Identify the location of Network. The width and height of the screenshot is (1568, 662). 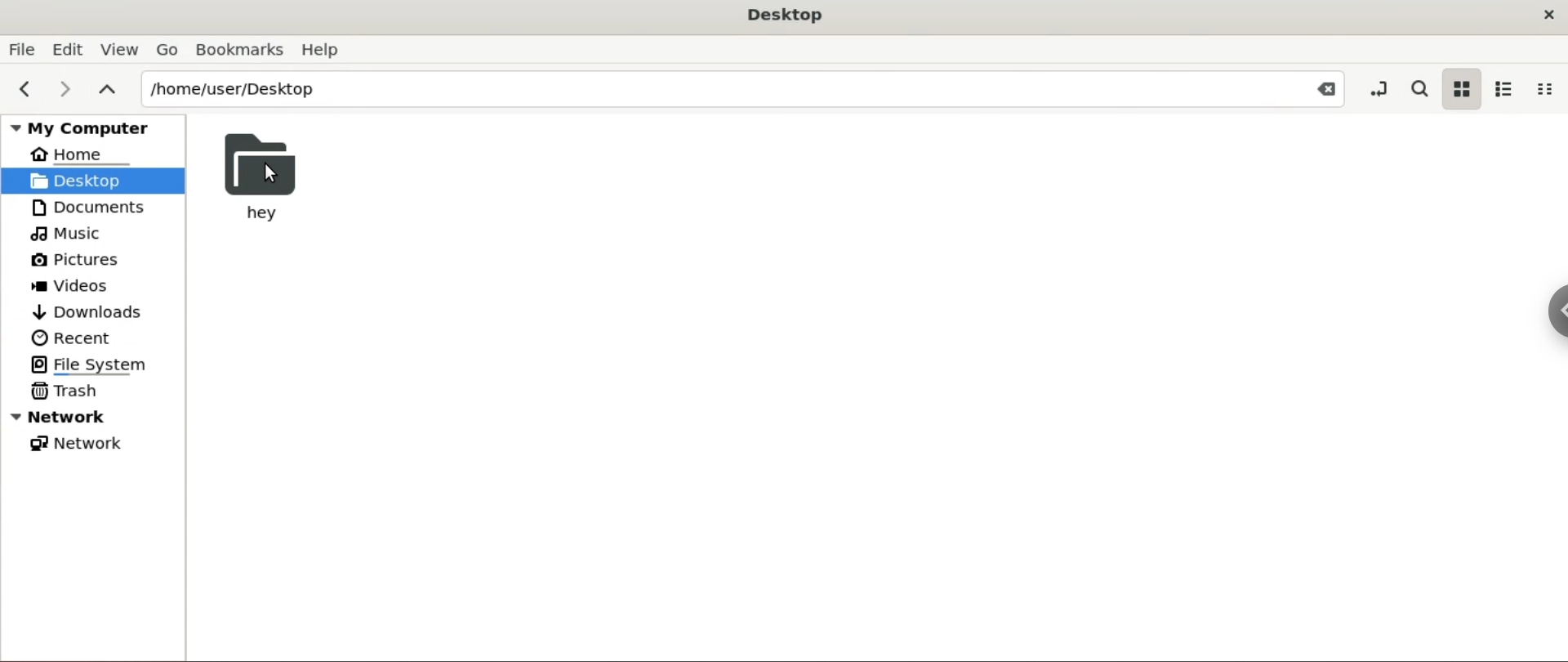
(77, 445).